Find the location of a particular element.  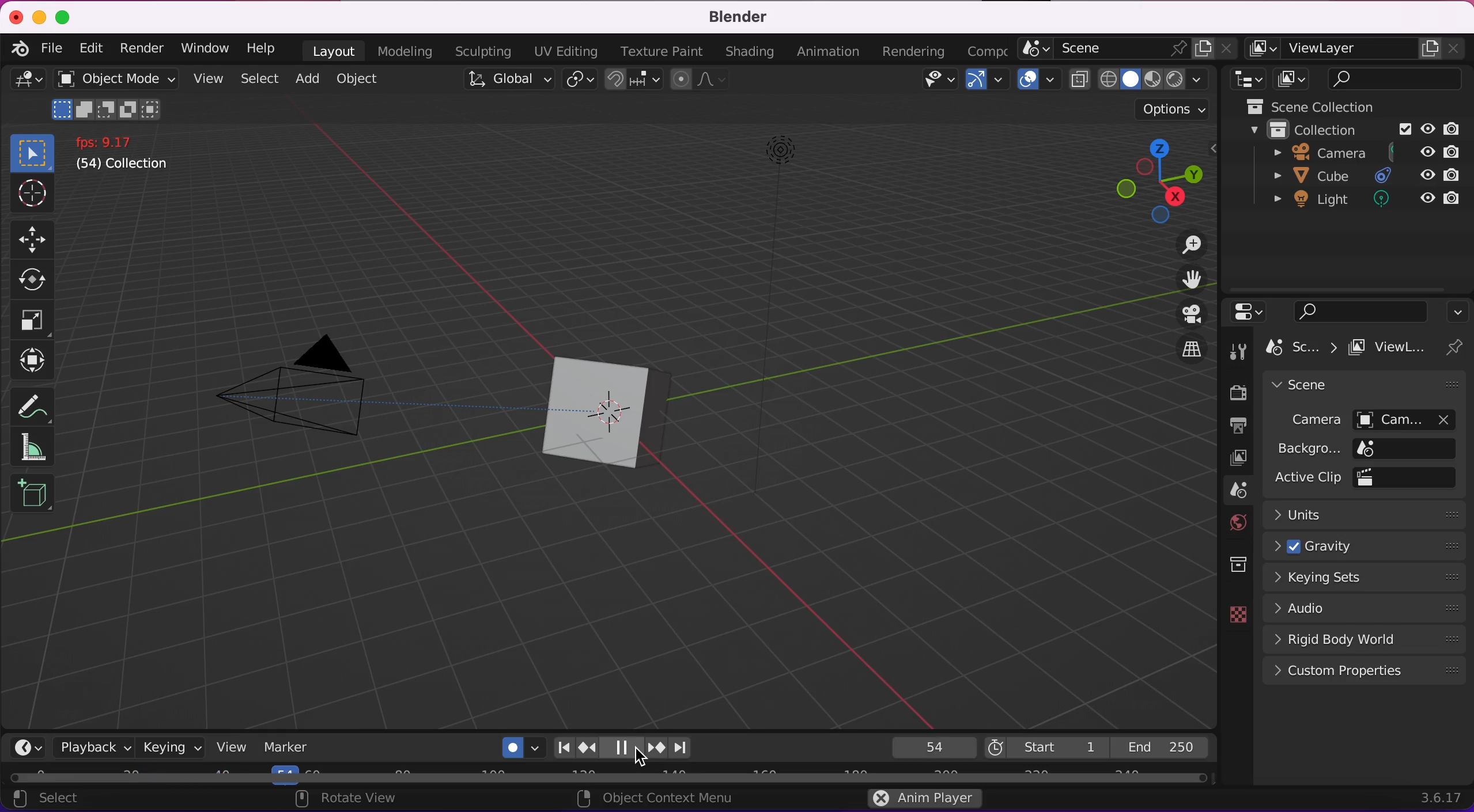

view layer is located at coordinates (1238, 458).